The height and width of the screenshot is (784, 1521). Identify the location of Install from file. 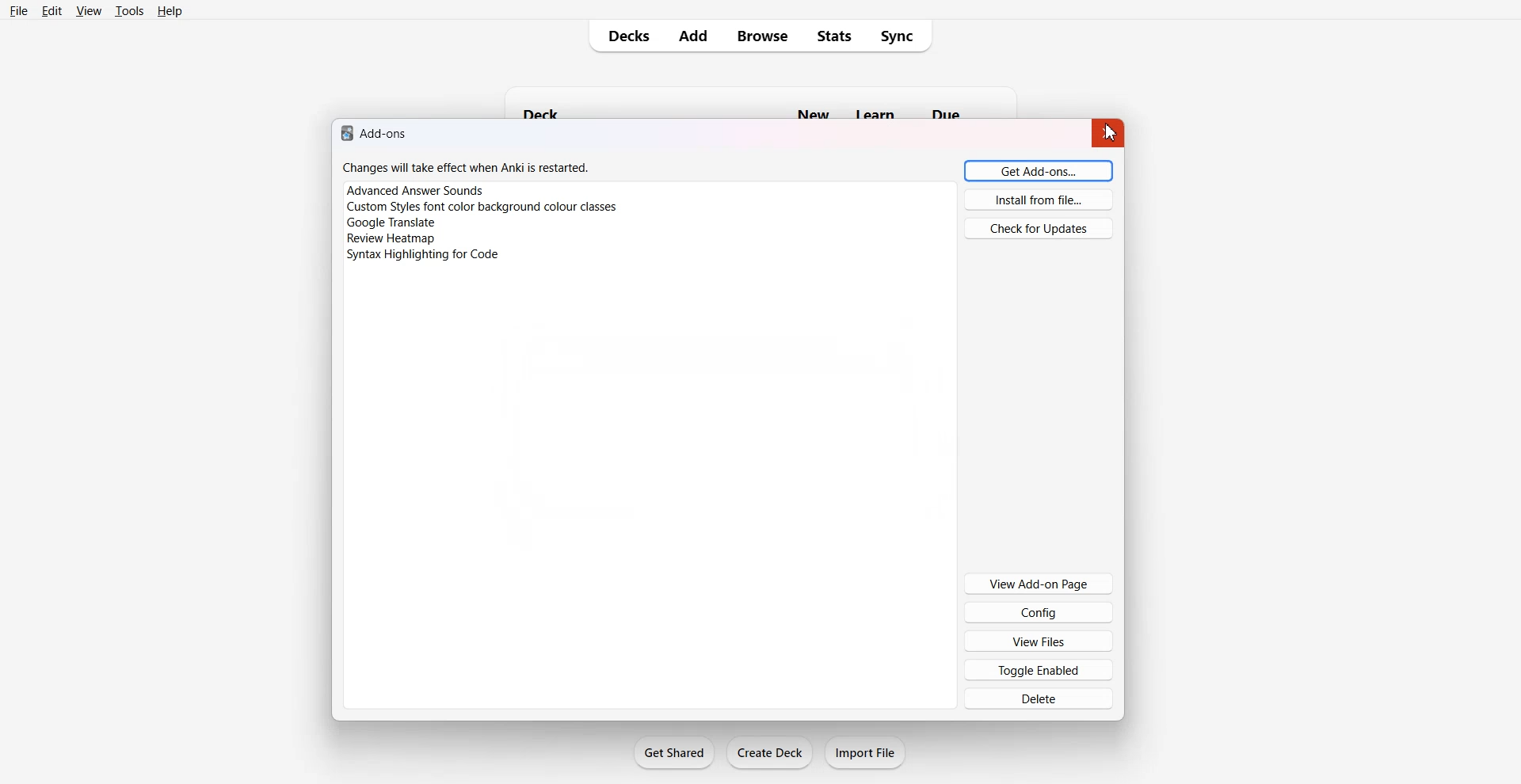
(1039, 200).